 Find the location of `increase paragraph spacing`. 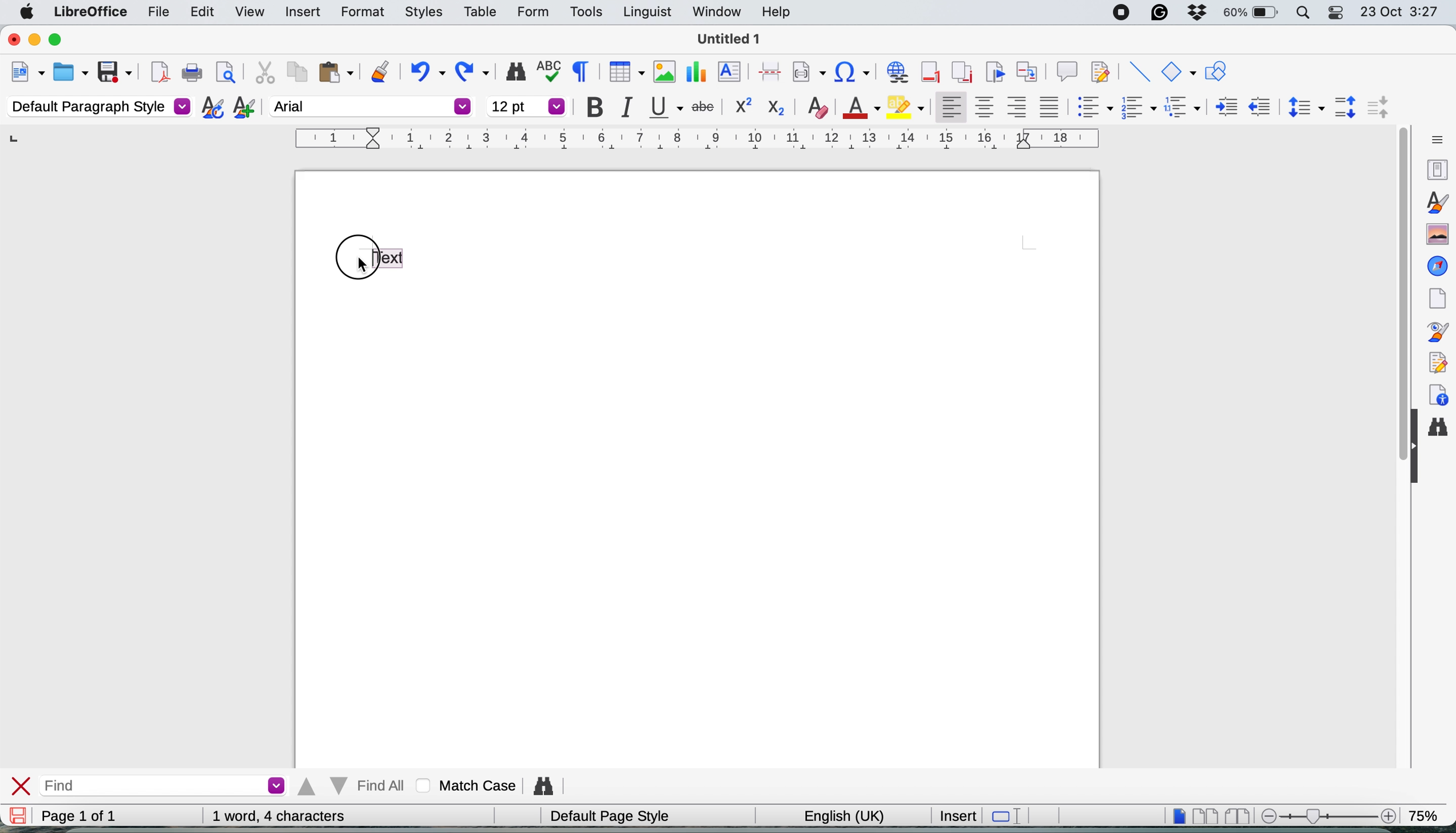

increase paragraph spacing is located at coordinates (1347, 106).